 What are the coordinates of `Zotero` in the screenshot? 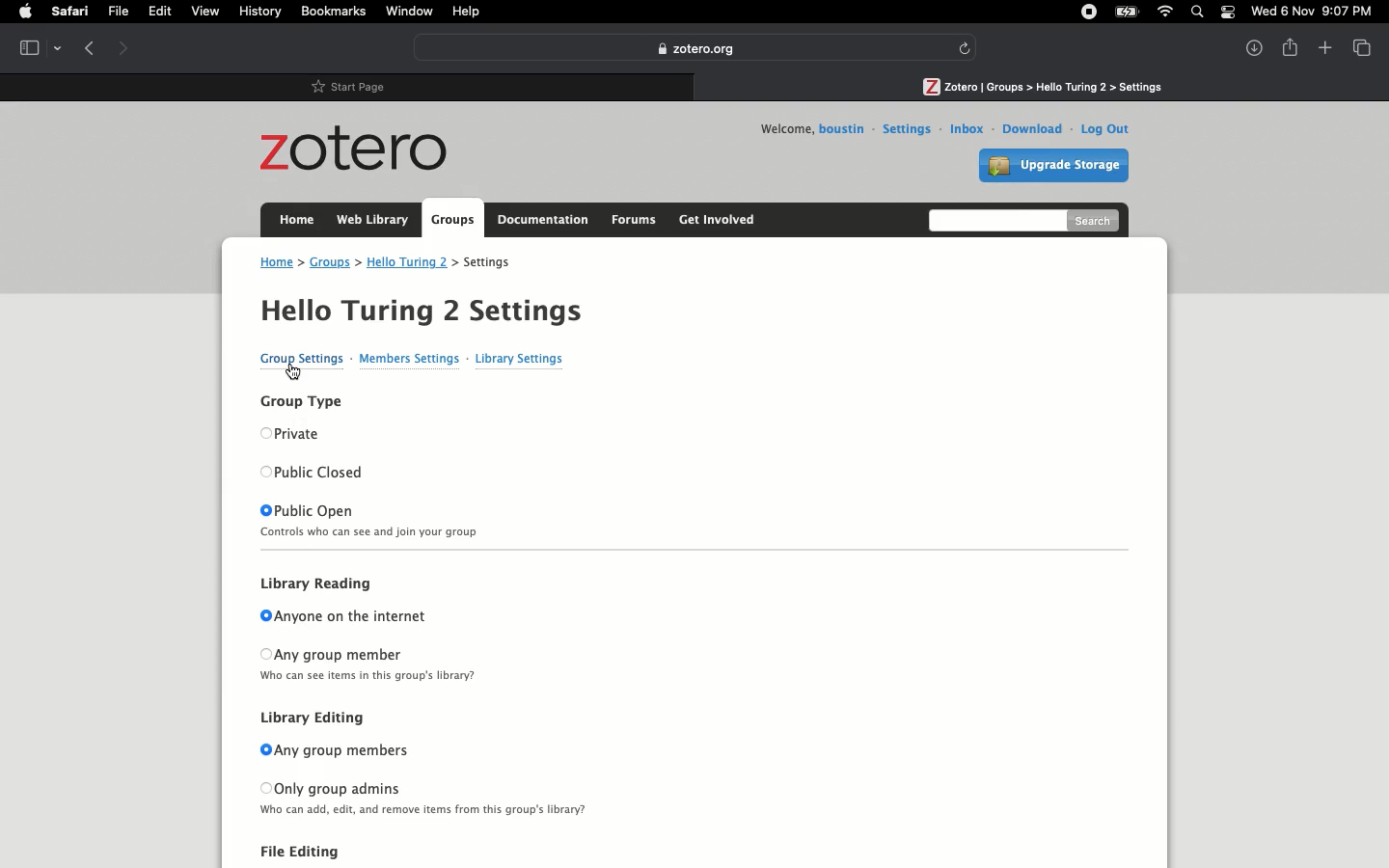 It's located at (360, 150).